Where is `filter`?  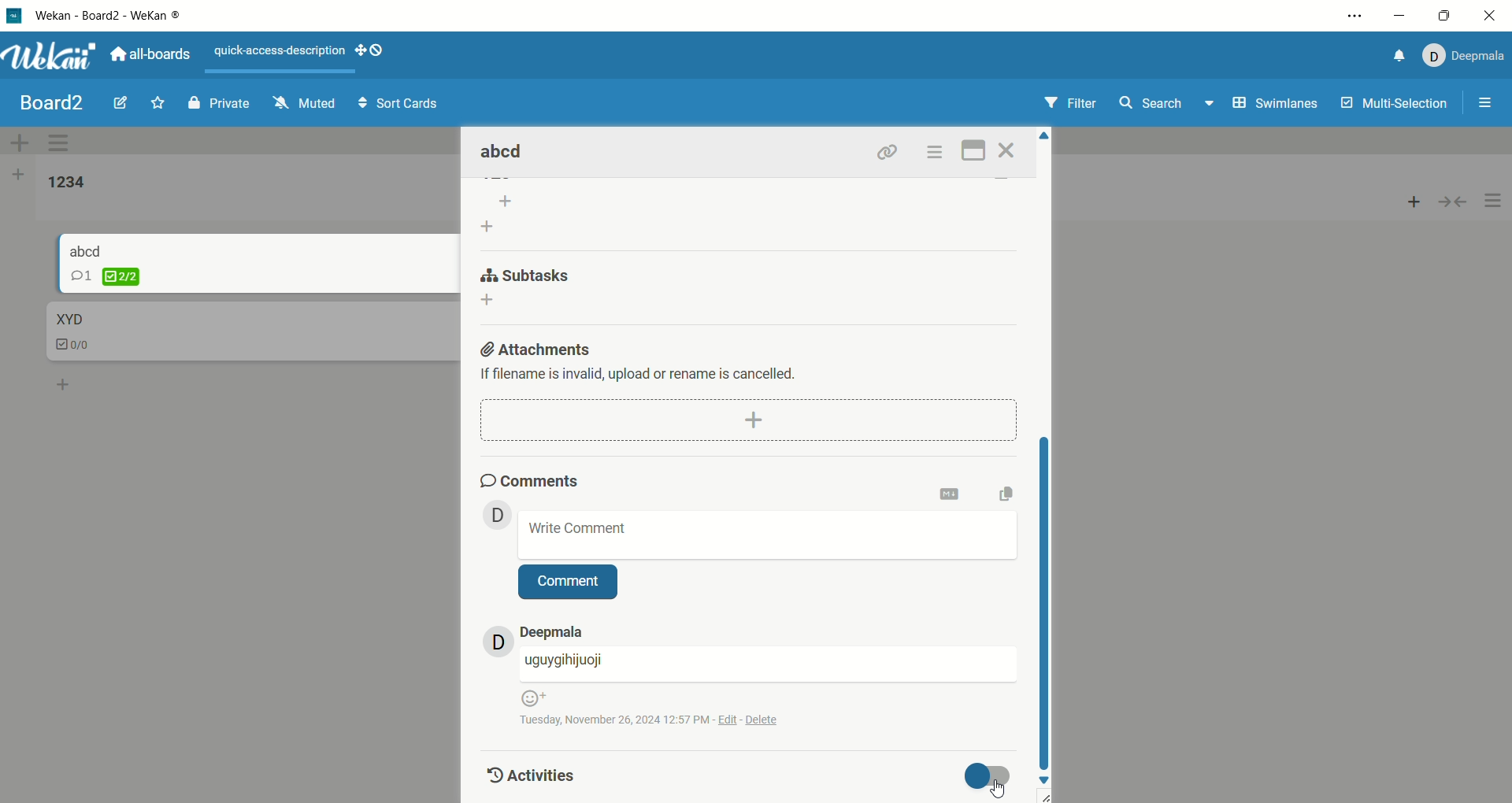 filter is located at coordinates (1073, 104).